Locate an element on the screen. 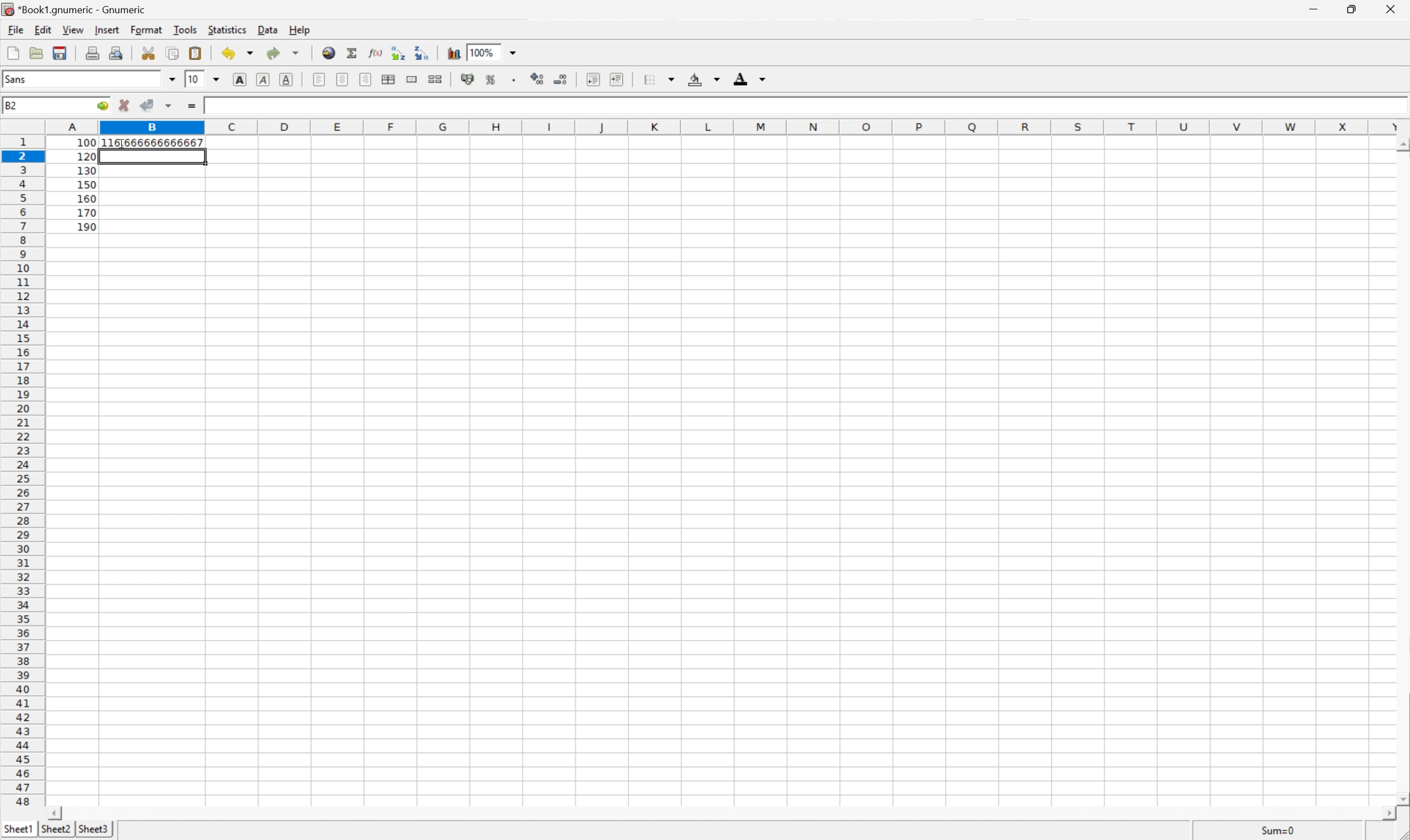 The width and height of the screenshot is (1410, 840). 10 is located at coordinates (196, 78).